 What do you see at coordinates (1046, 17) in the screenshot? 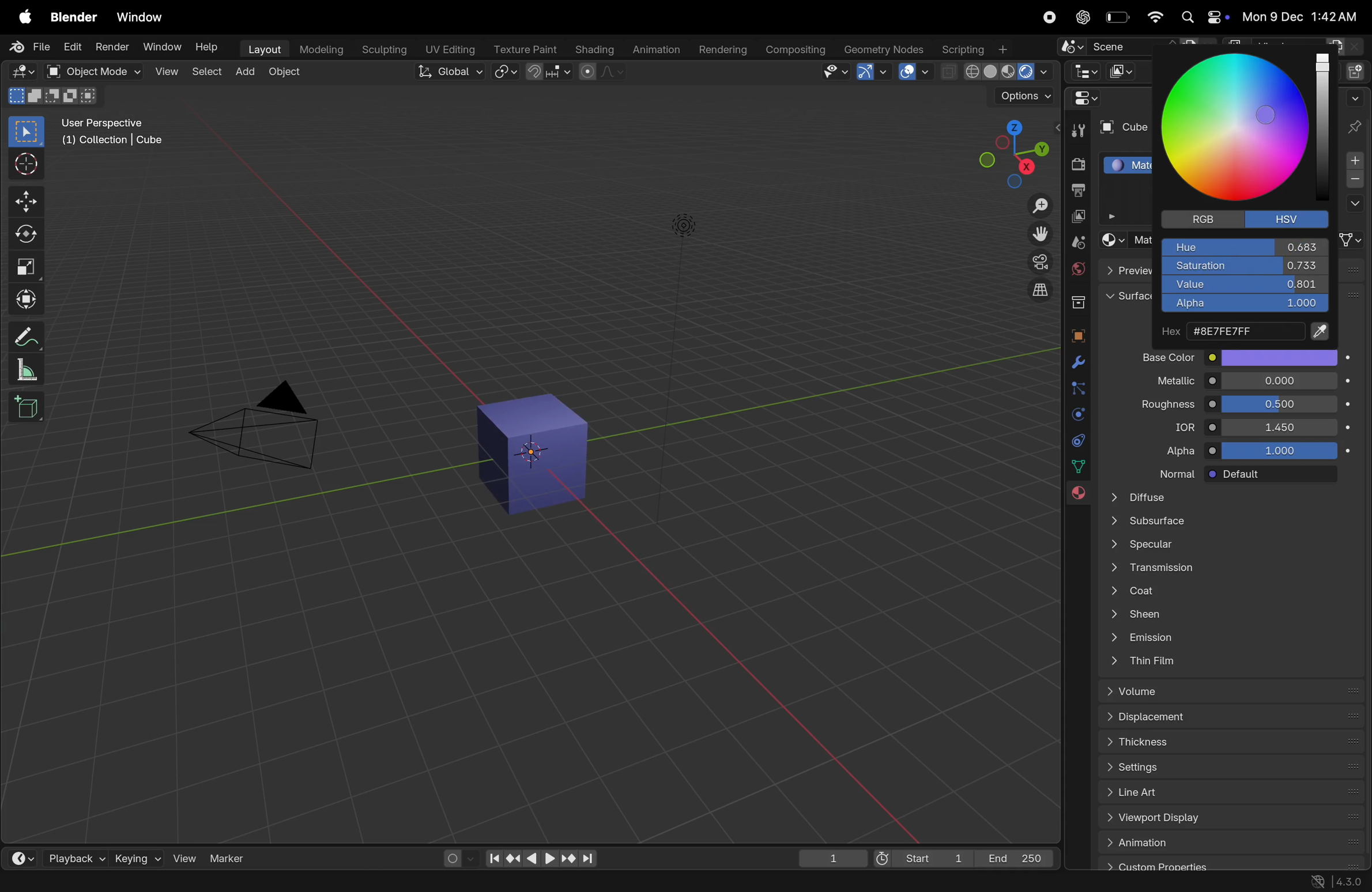
I see `record` at bounding box center [1046, 17].